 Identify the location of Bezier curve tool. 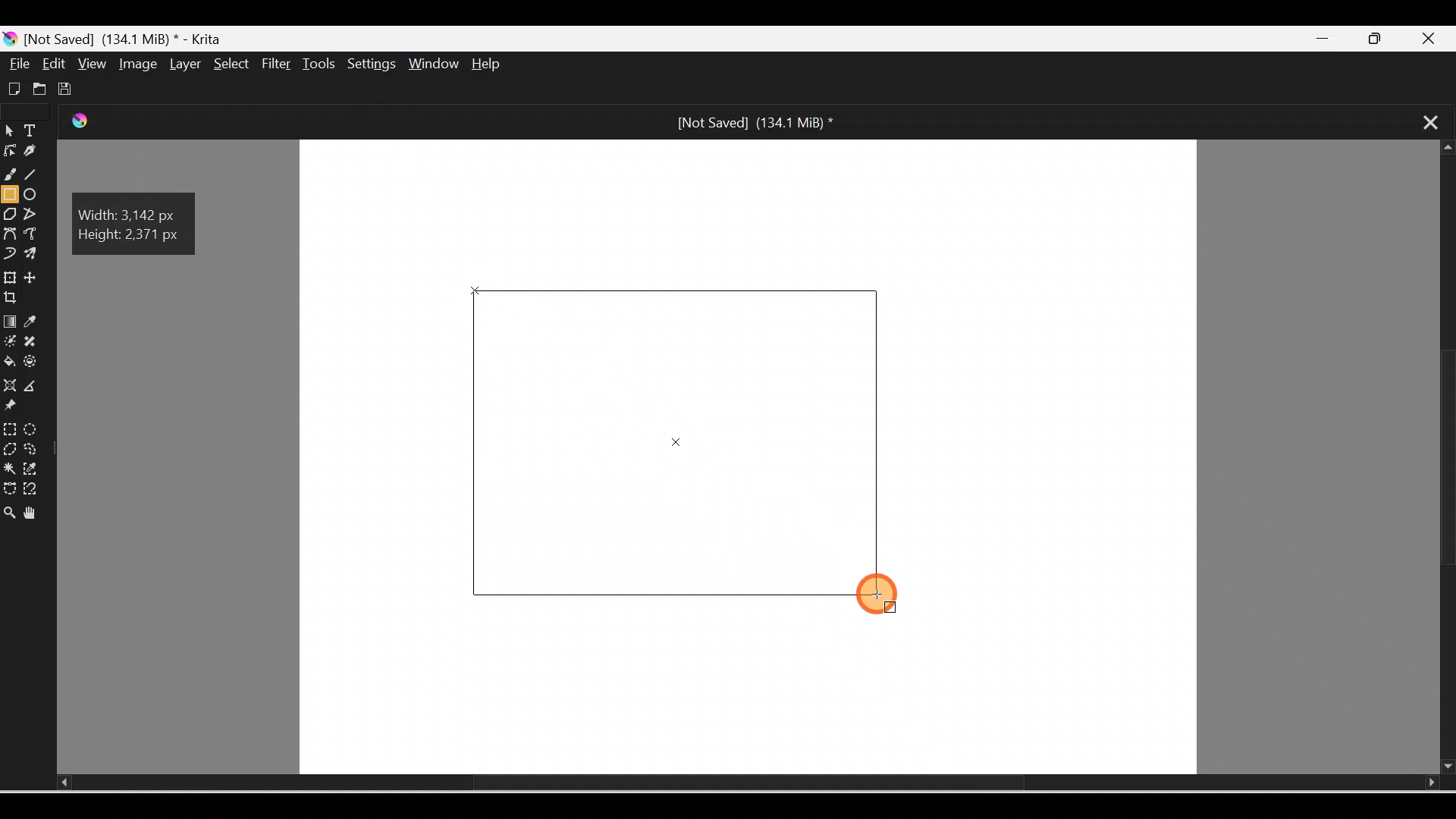
(11, 233).